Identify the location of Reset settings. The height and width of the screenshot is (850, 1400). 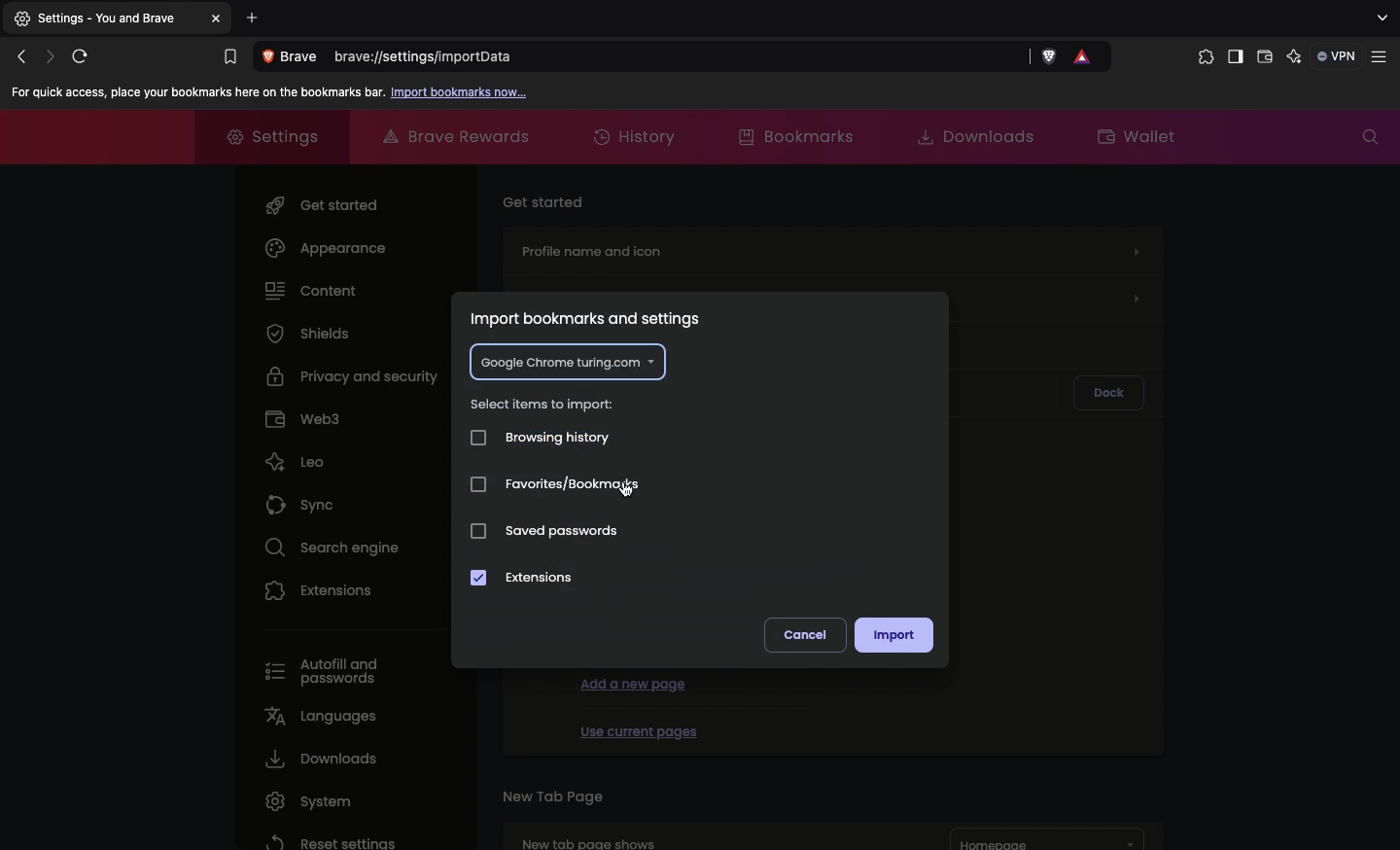
(328, 840).